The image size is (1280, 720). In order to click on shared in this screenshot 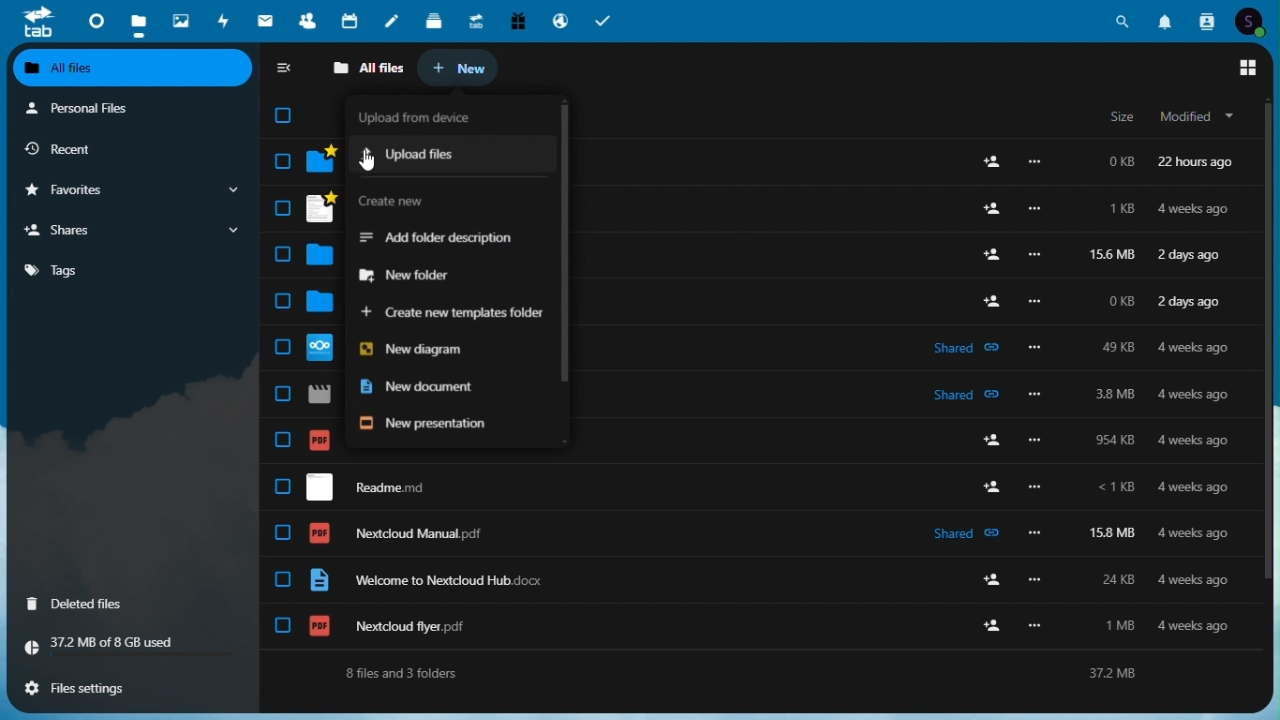, I will do `click(966, 534)`.